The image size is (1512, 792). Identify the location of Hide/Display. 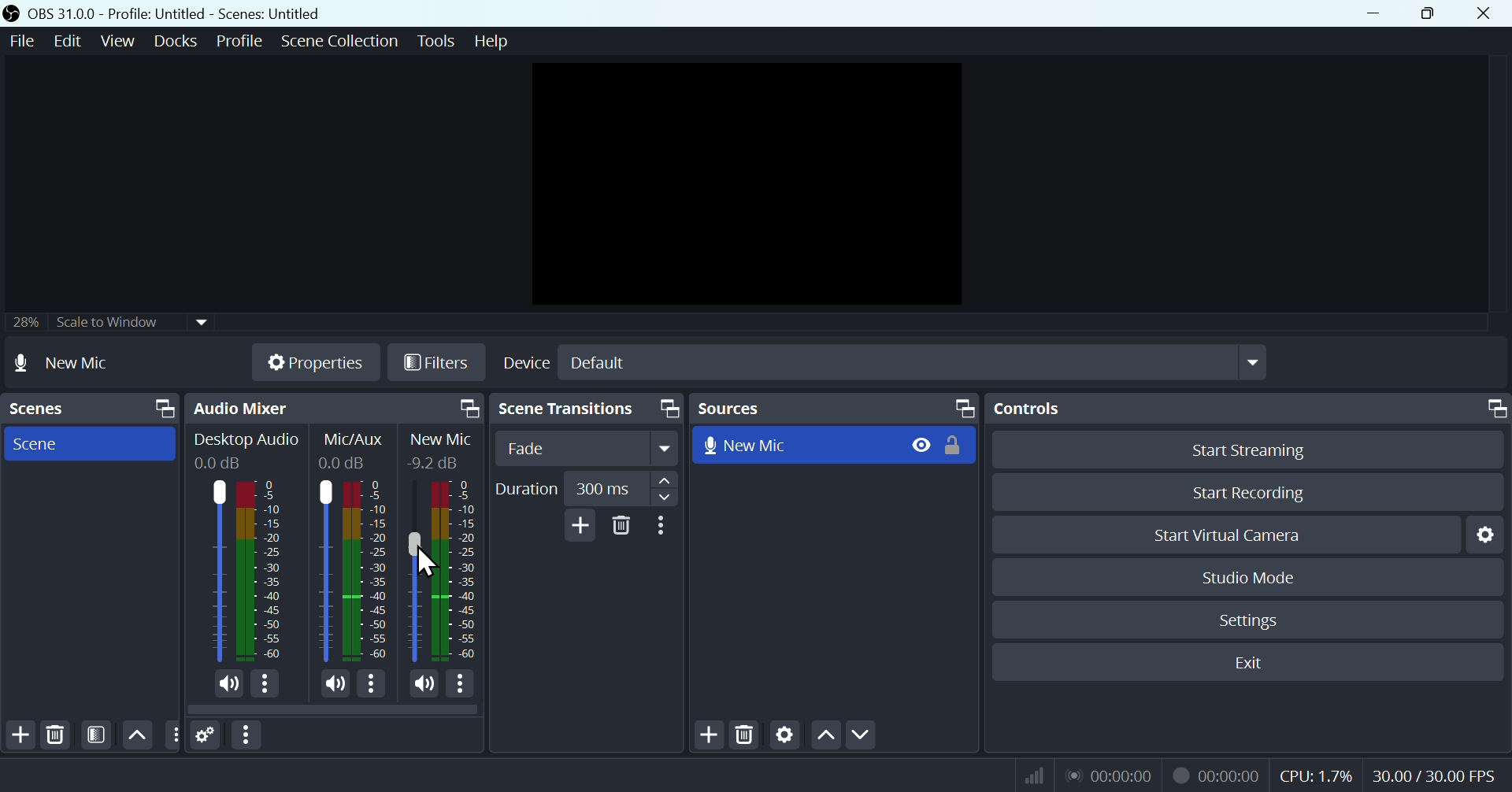
(920, 444).